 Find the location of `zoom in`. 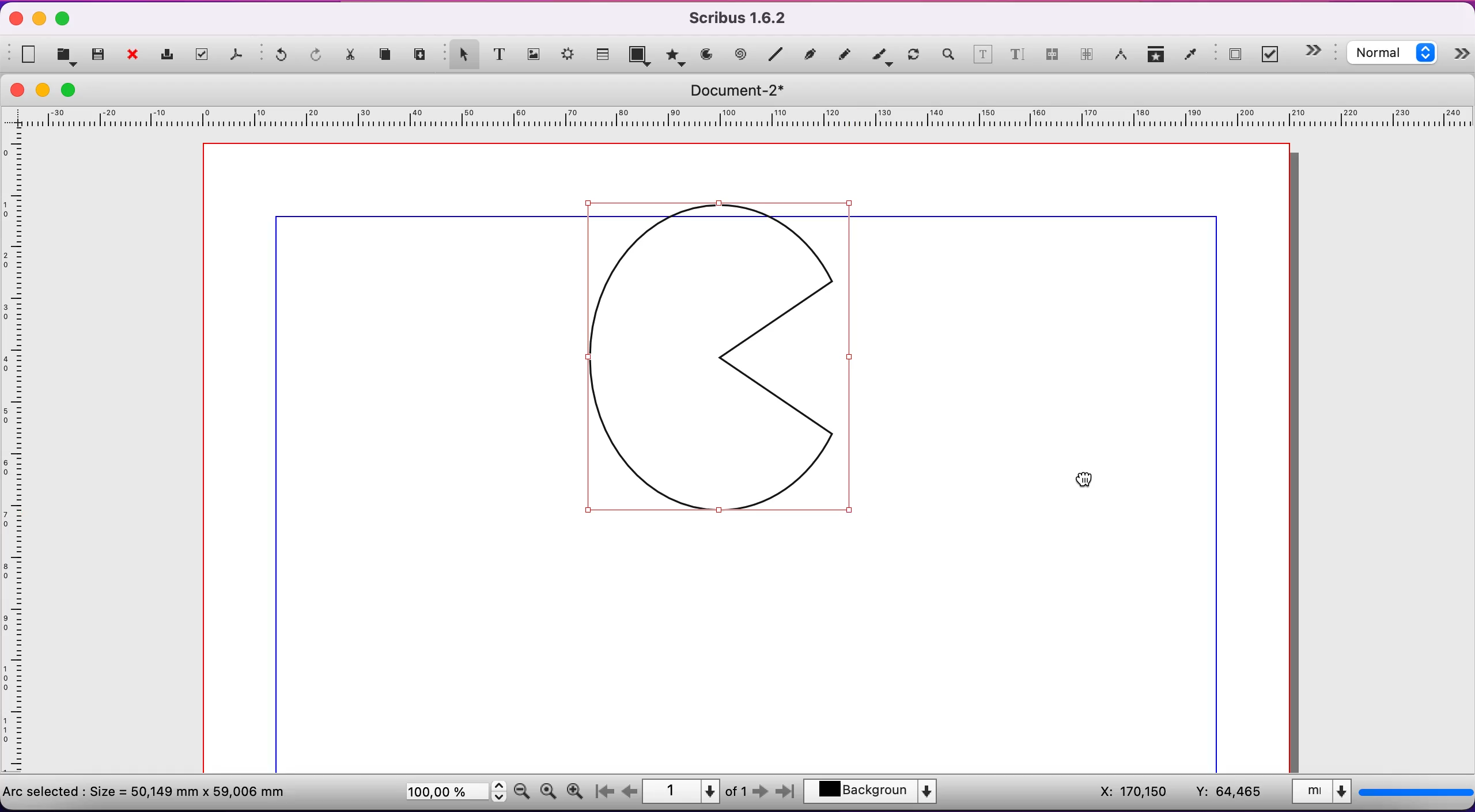

zoom in is located at coordinates (578, 788).